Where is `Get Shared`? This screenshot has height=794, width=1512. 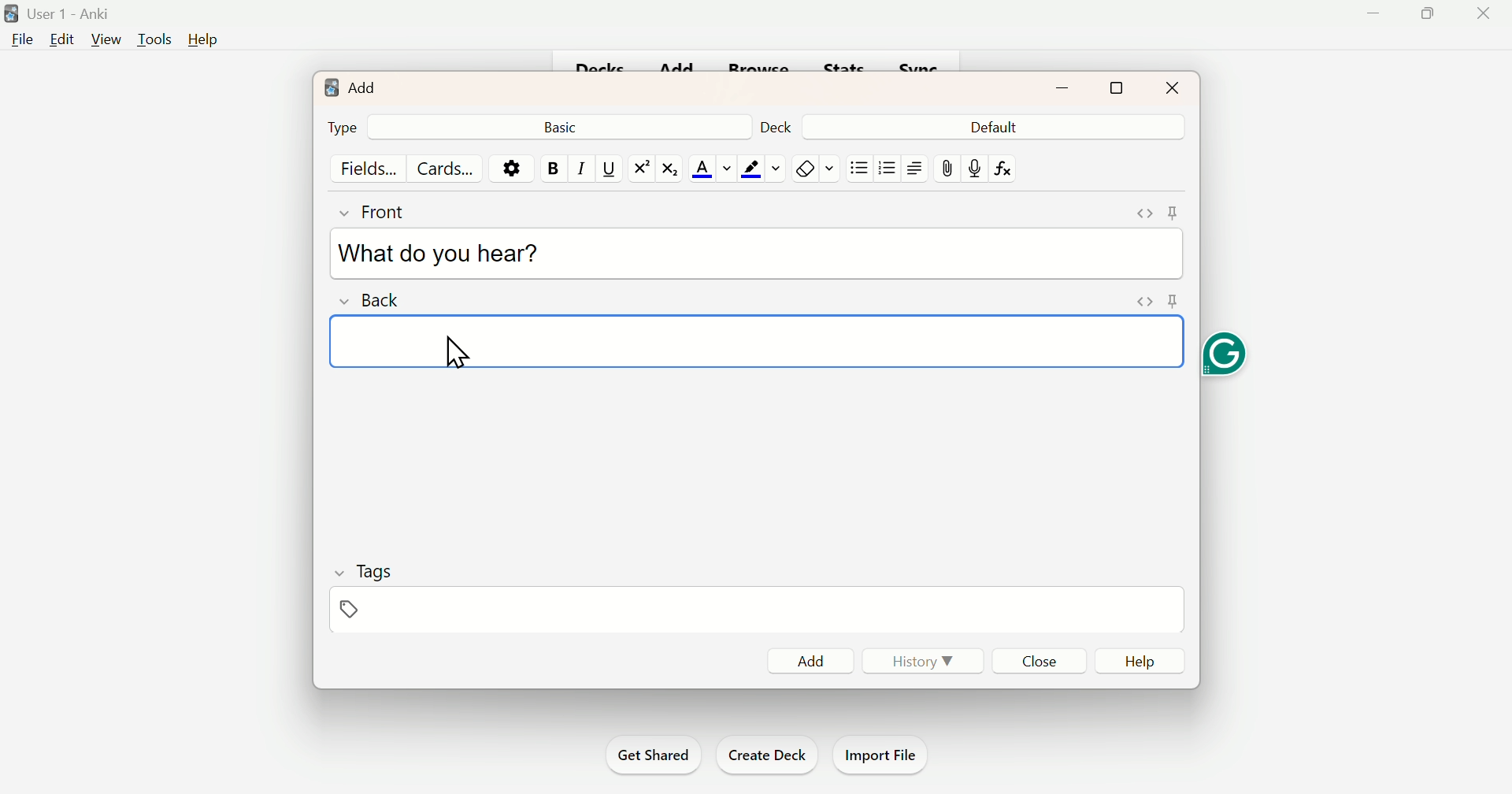 Get Shared is located at coordinates (651, 752).